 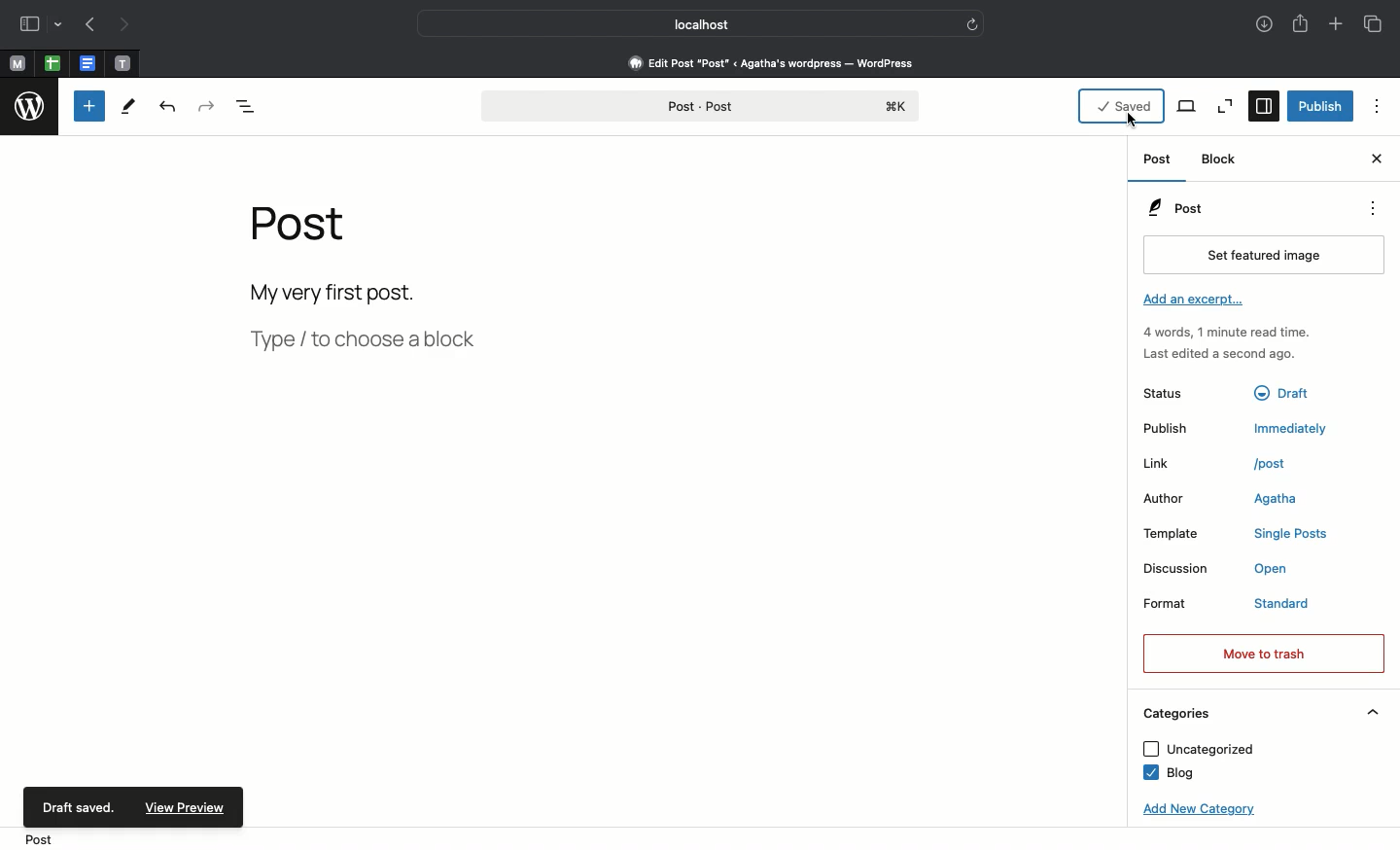 What do you see at coordinates (1175, 464) in the screenshot?
I see `Link` at bounding box center [1175, 464].